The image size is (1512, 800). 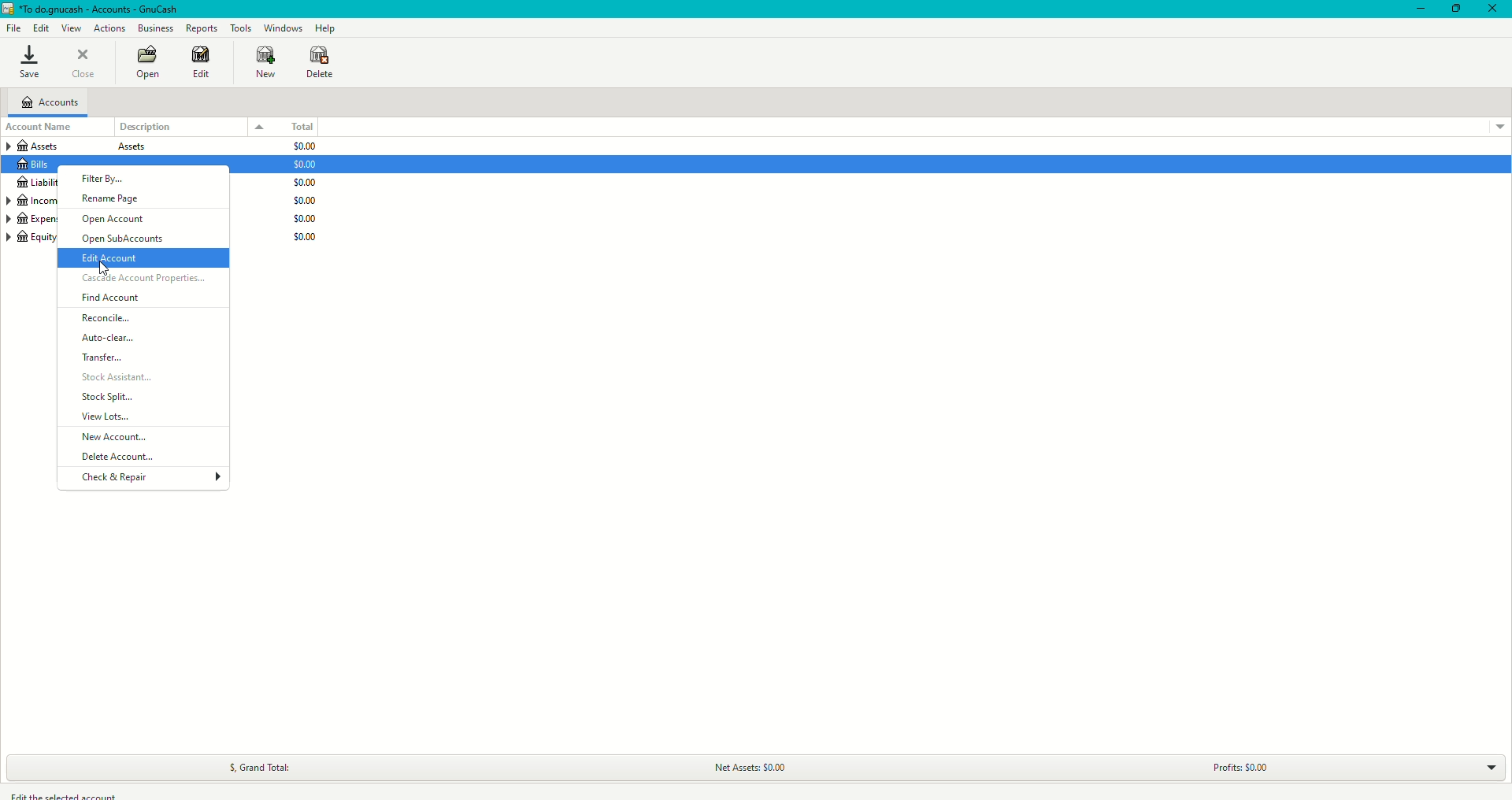 What do you see at coordinates (205, 64) in the screenshot?
I see `Edit` at bounding box center [205, 64].